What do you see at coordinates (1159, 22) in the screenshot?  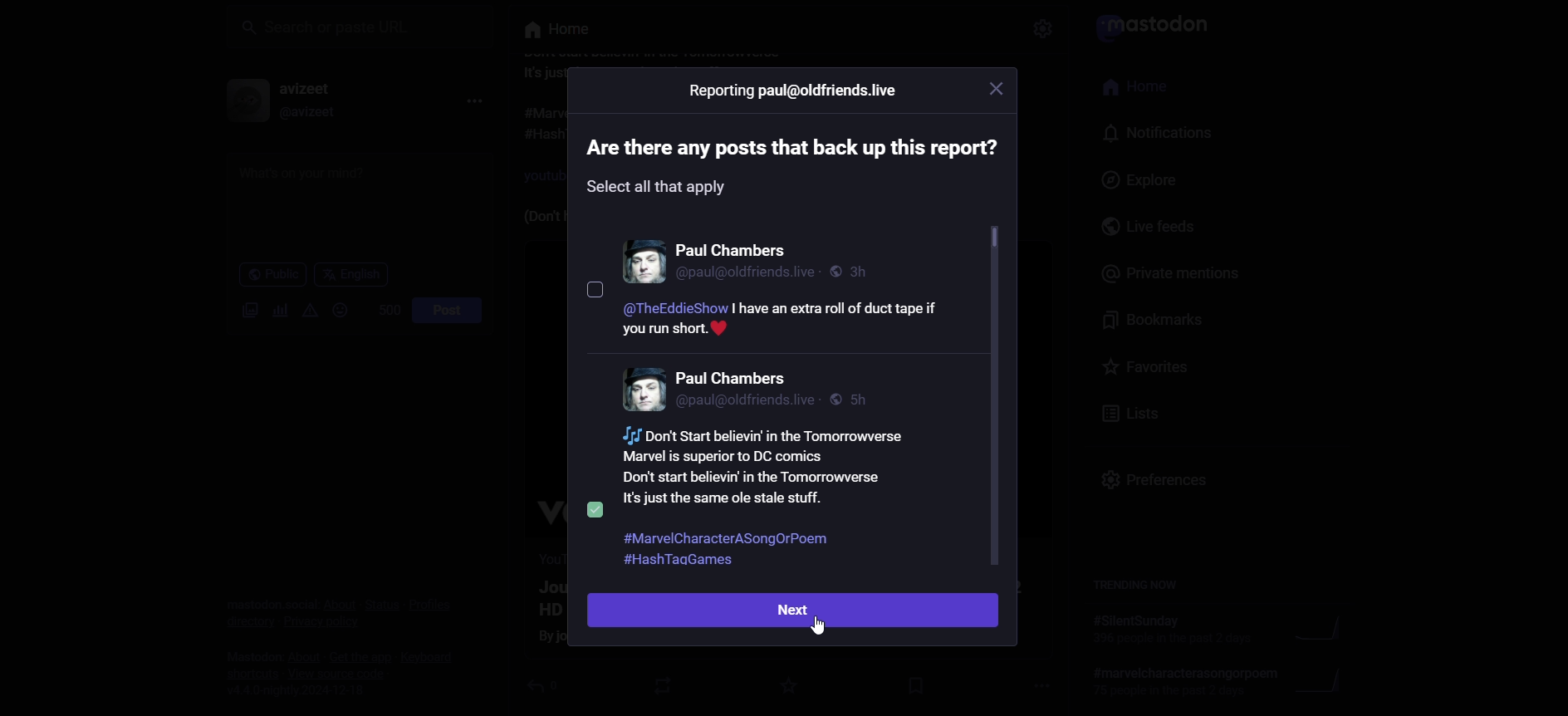 I see `it violates server rule` at bounding box center [1159, 22].